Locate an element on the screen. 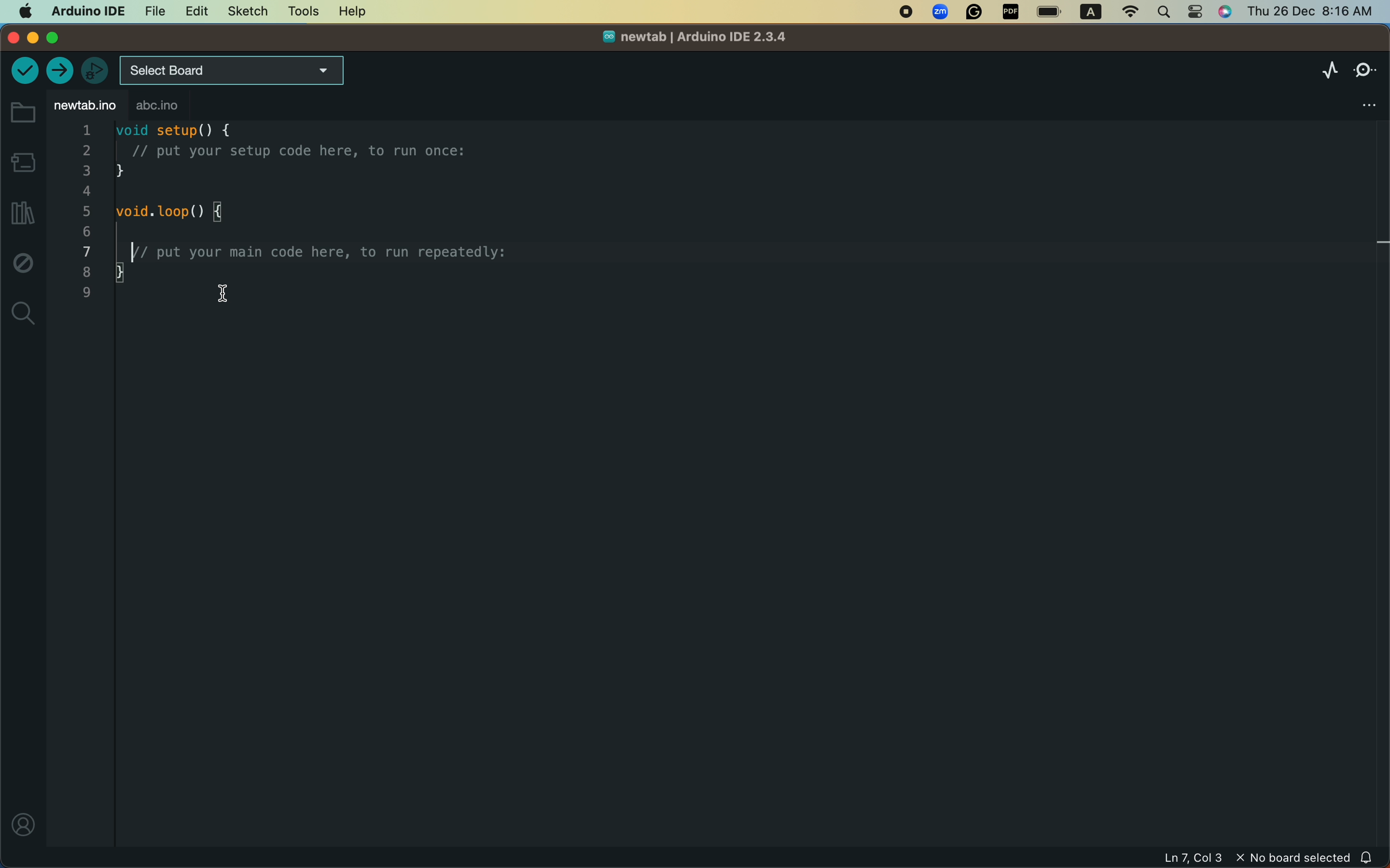  search is located at coordinates (24, 313).